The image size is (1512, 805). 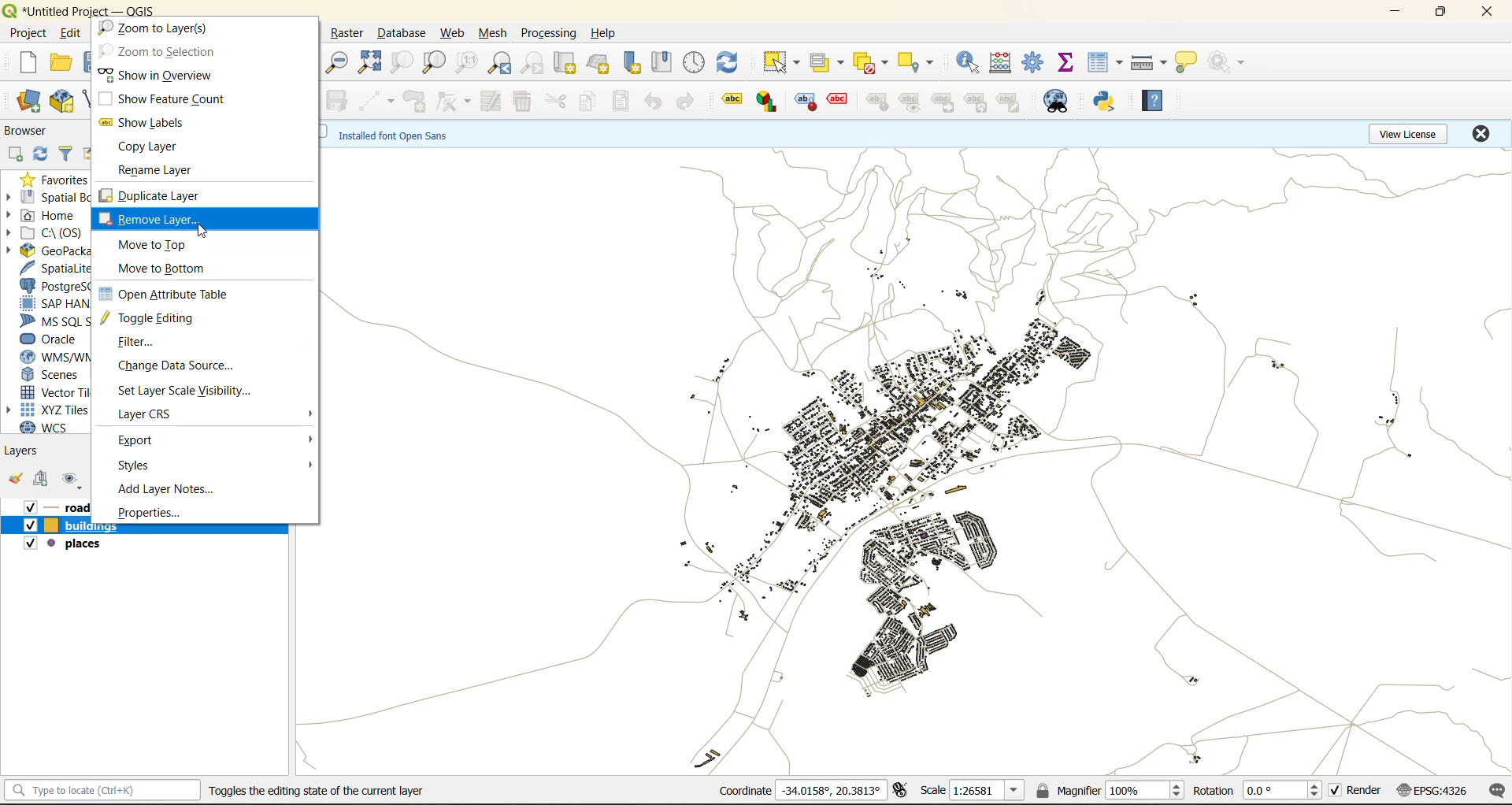 I want to click on deselect, so click(x=870, y=63).